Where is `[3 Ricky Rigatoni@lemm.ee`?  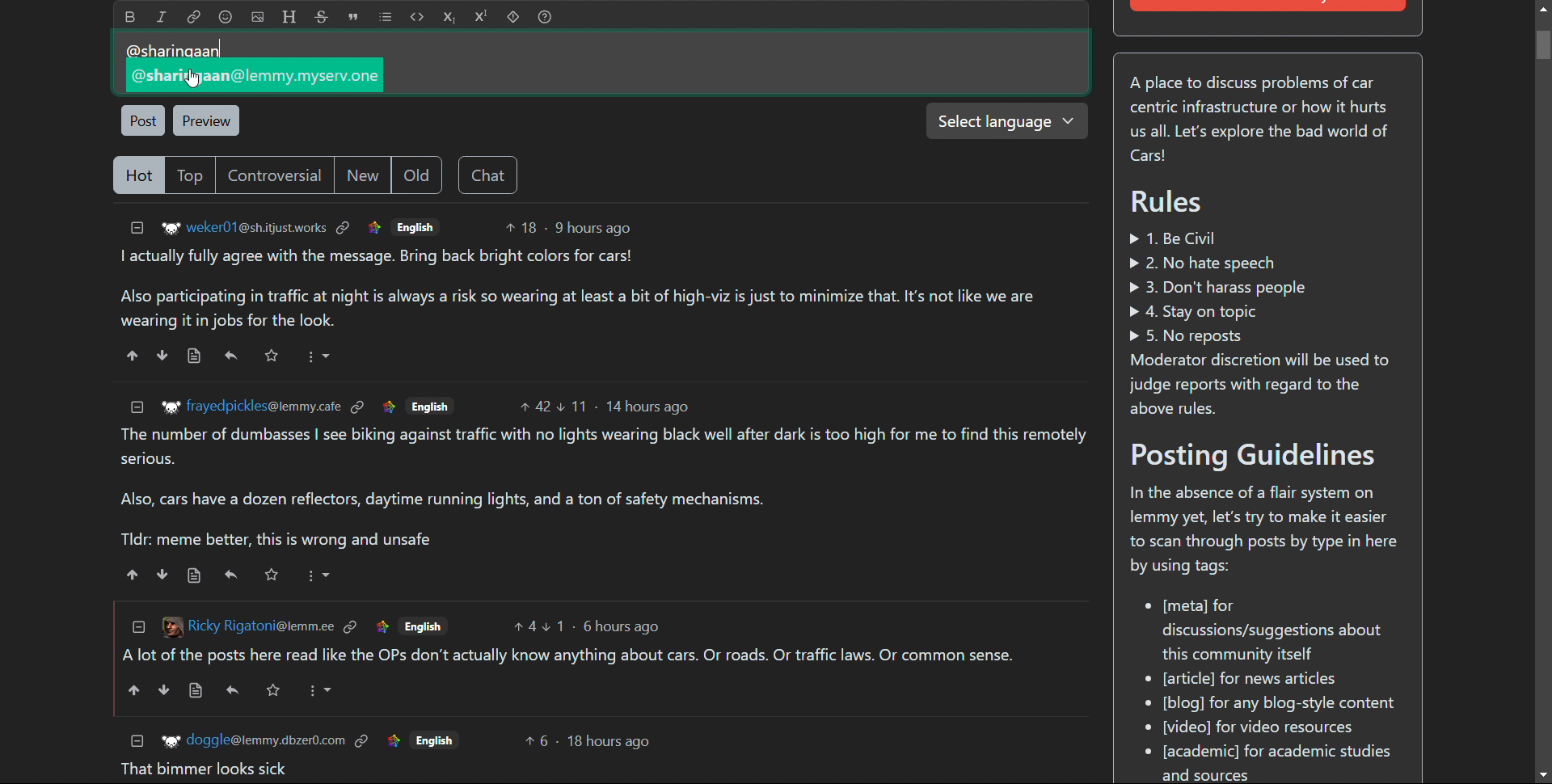 [3 Ricky Rigatoni@lemm.ee is located at coordinates (245, 625).